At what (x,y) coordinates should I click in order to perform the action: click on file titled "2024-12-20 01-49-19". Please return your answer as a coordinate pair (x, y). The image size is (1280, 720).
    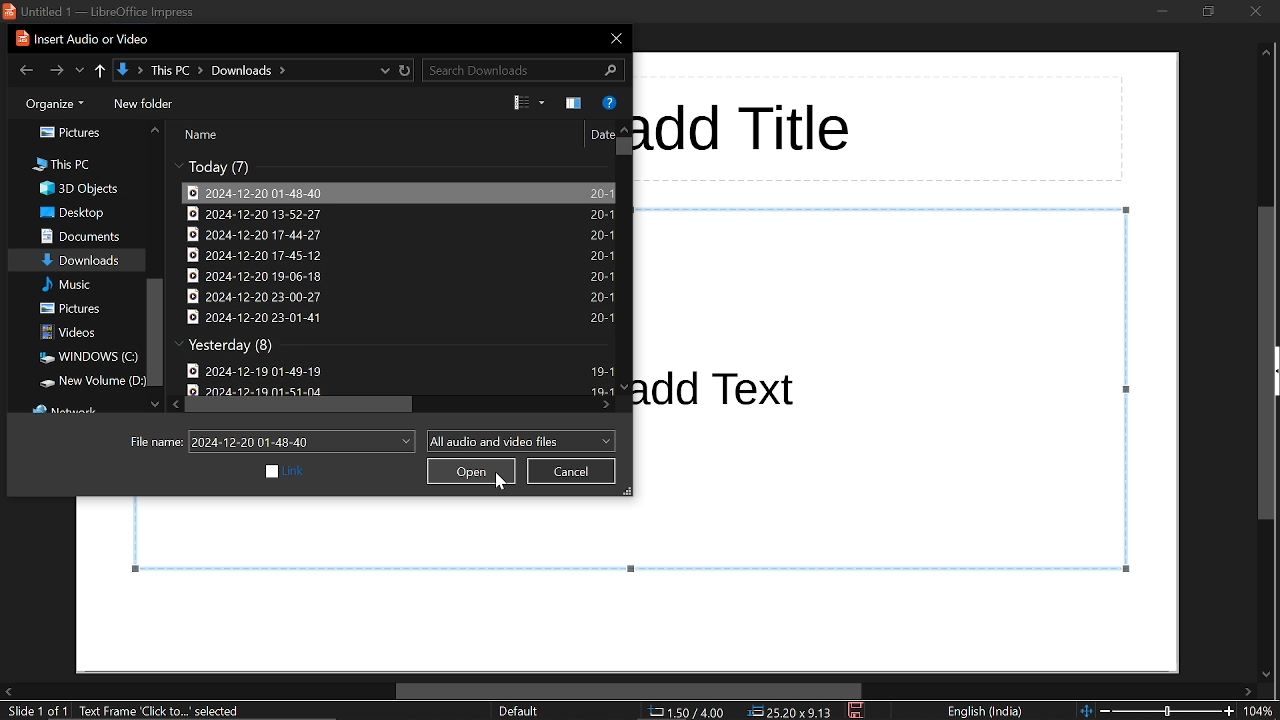
    Looking at the image, I should click on (403, 368).